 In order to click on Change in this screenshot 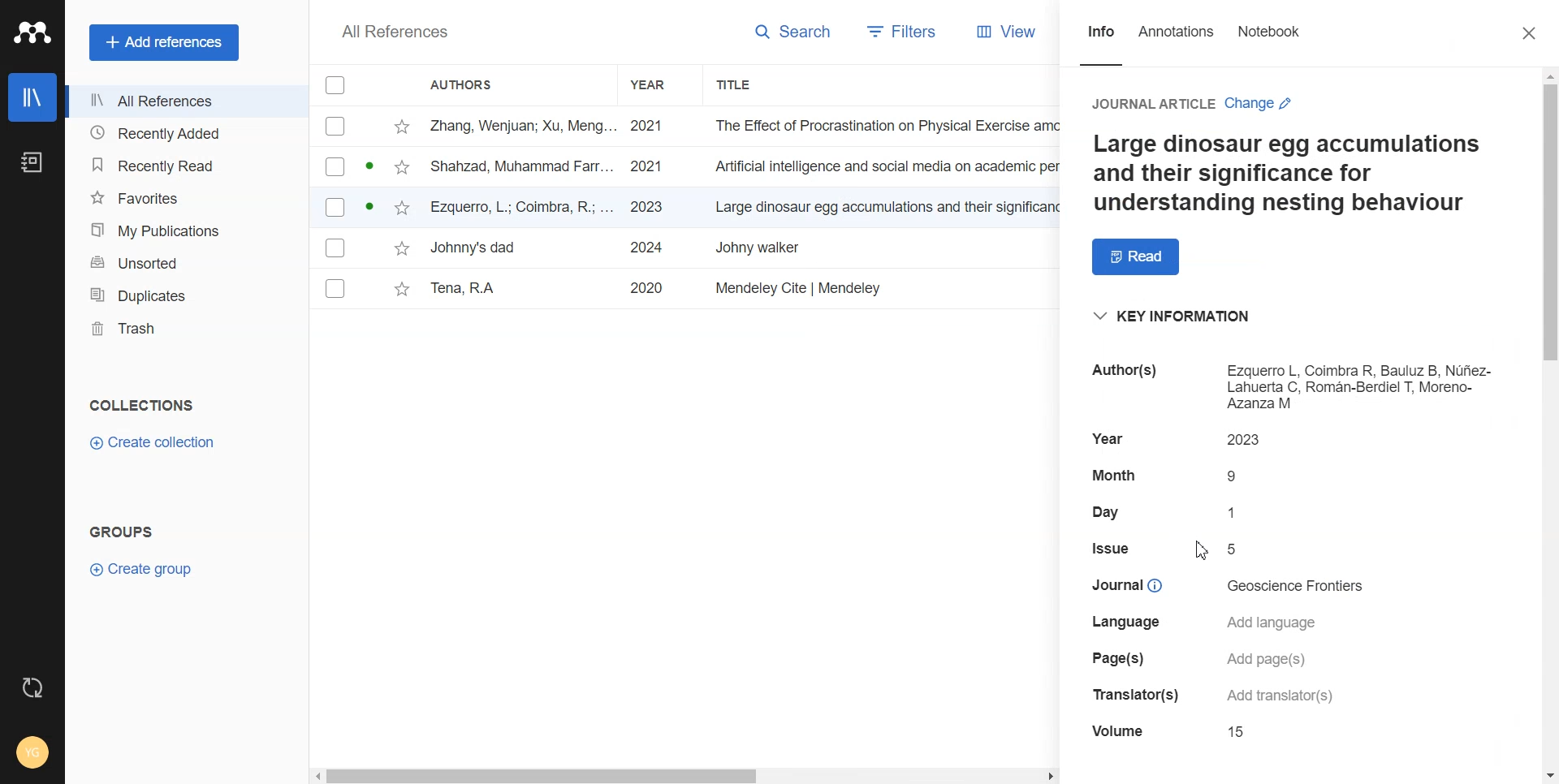, I will do `click(1264, 102)`.